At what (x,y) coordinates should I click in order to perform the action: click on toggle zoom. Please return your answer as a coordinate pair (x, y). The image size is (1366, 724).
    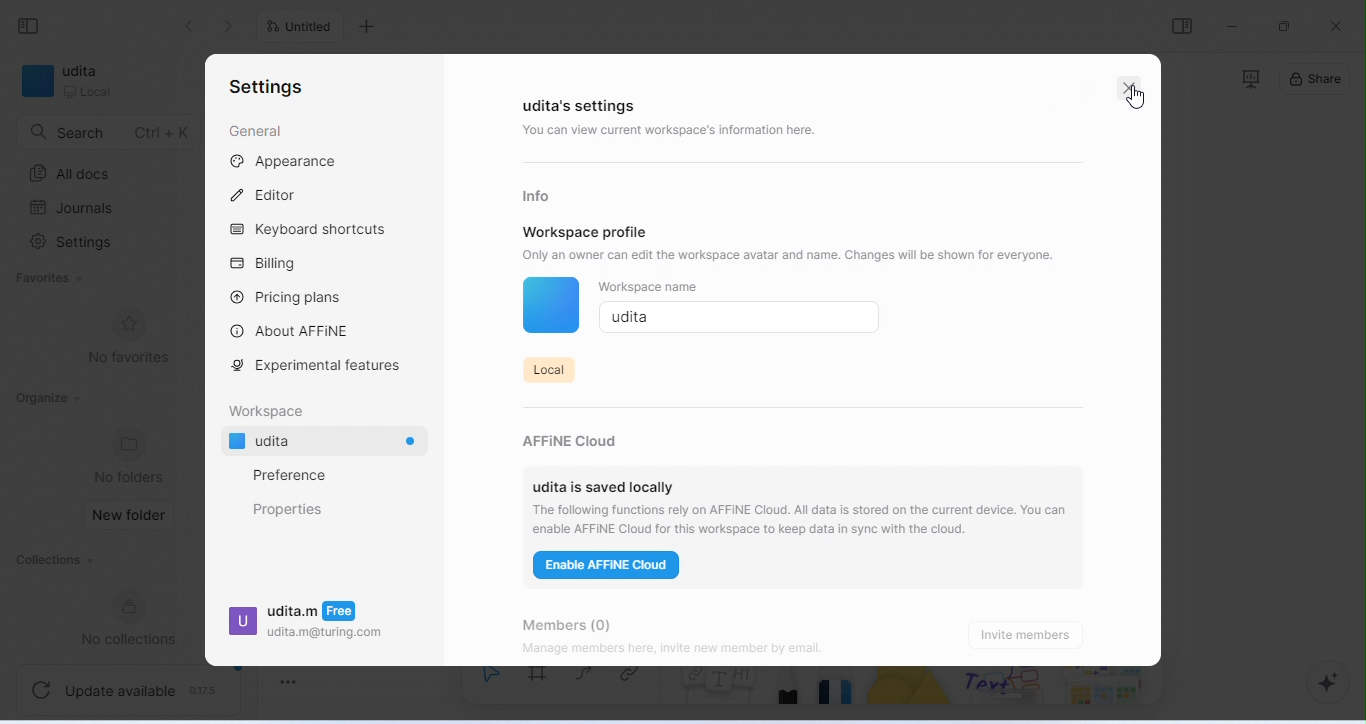
    Looking at the image, I should click on (289, 678).